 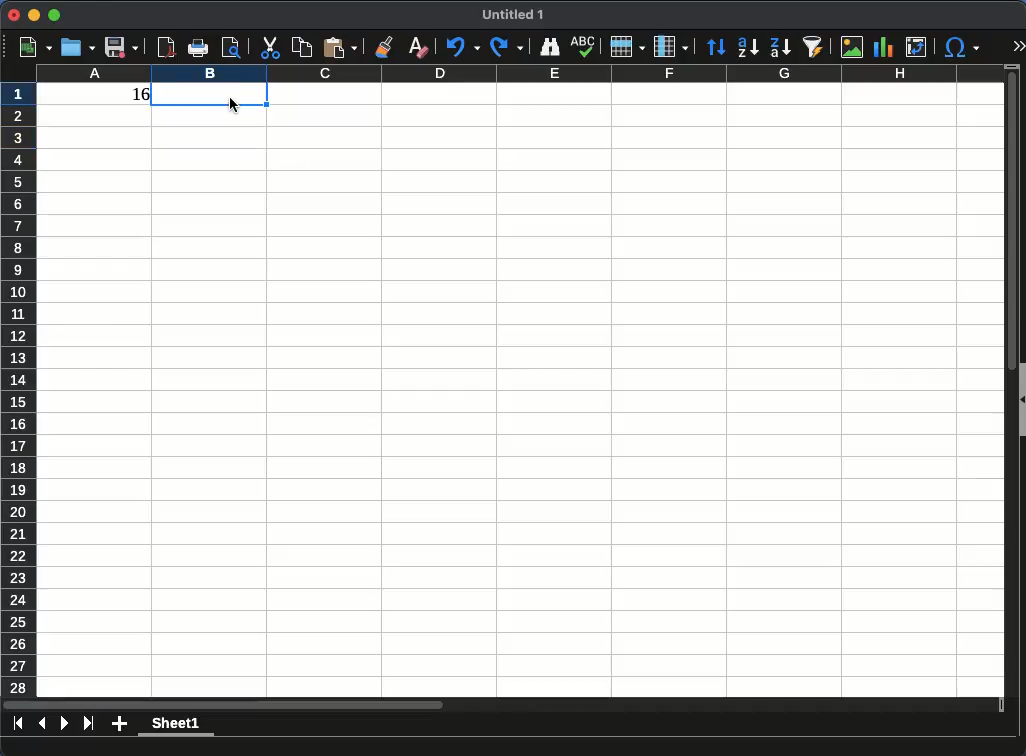 I want to click on column, so click(x=517, y=74).